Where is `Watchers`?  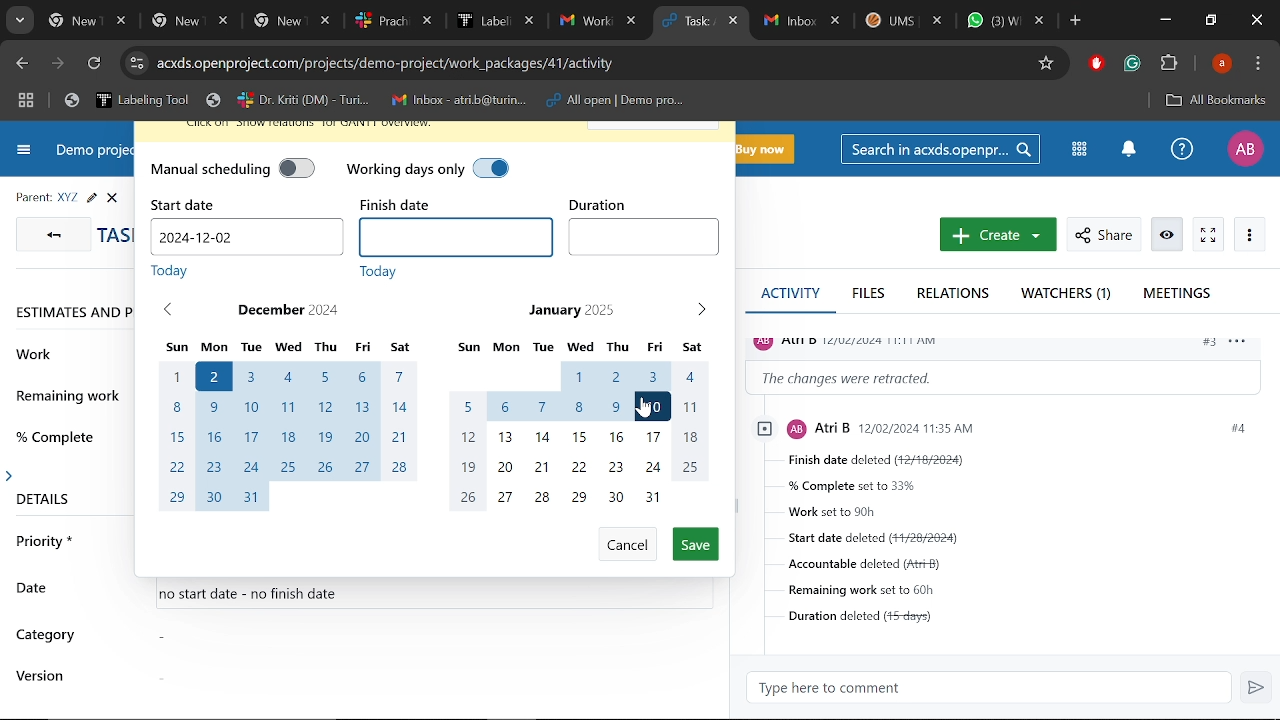 Watchers is located at coordinates (1068, 294).